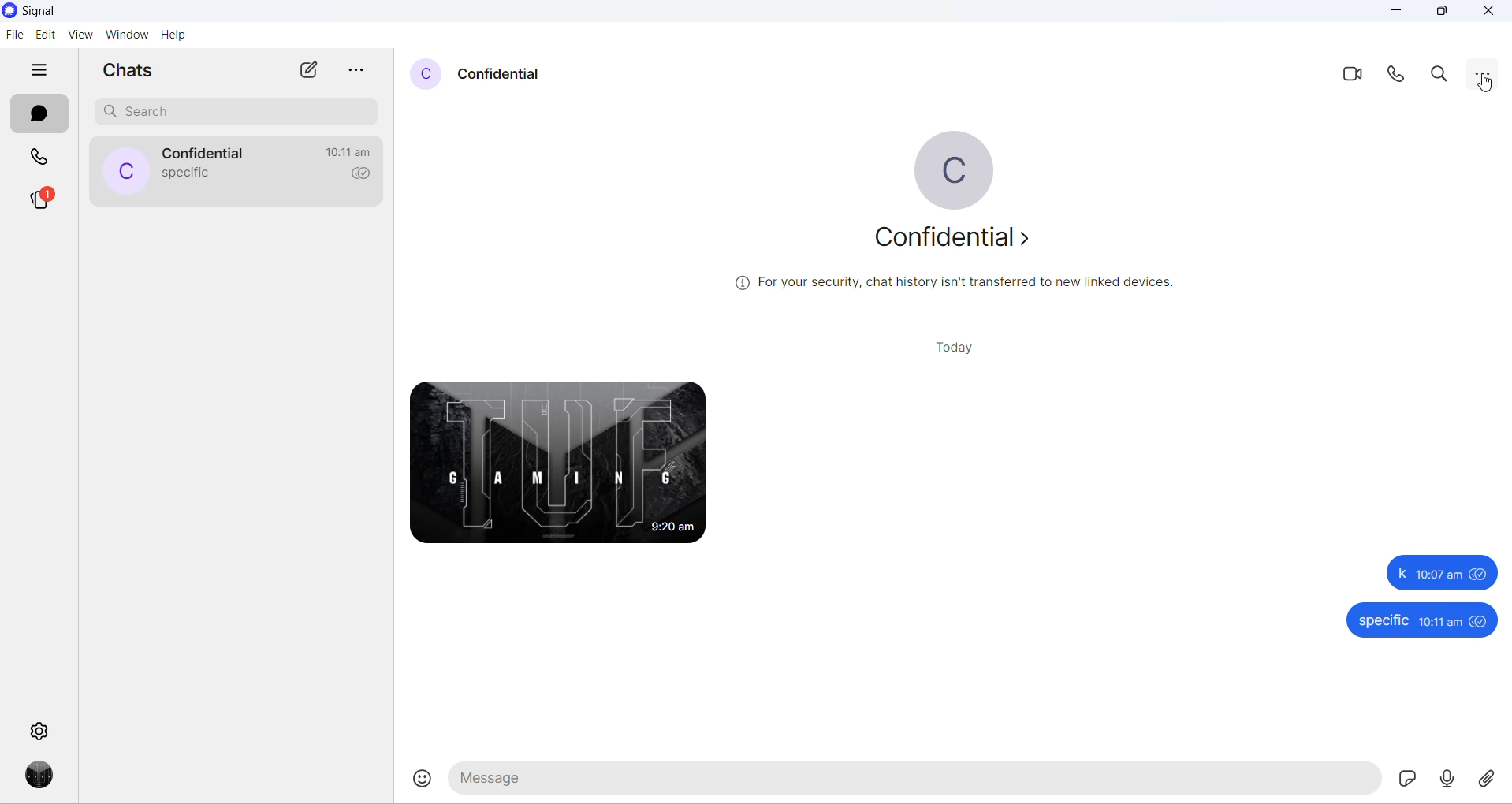 Image resolution: width=1512 pixels, height=804 pixels. What do you see at coordinates (957, 237) in the screenshot?
I see `about contacts` at bounding box center [957, 237].